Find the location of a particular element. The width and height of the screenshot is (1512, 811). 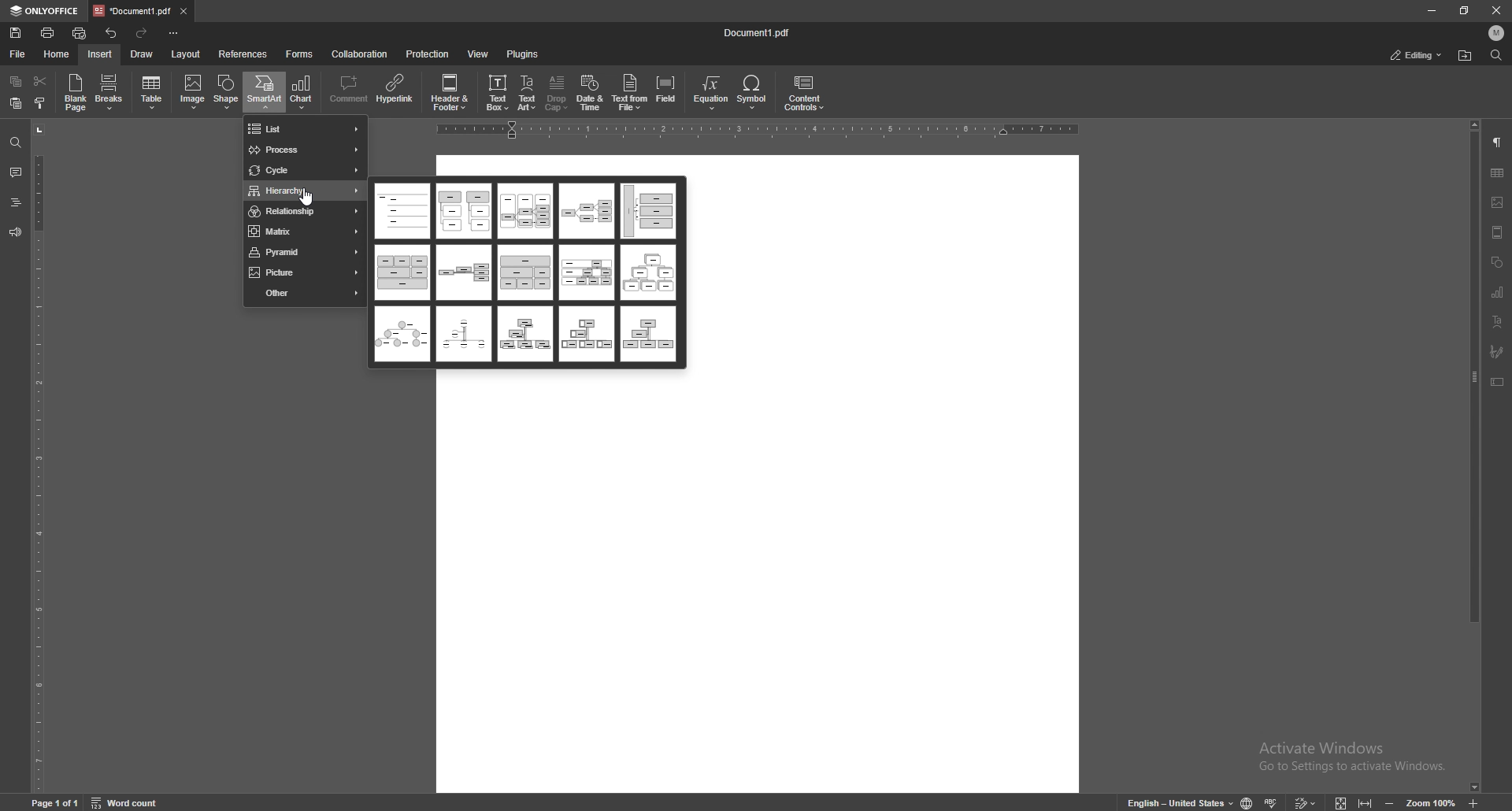

find is located at coordinates (1495, 54).